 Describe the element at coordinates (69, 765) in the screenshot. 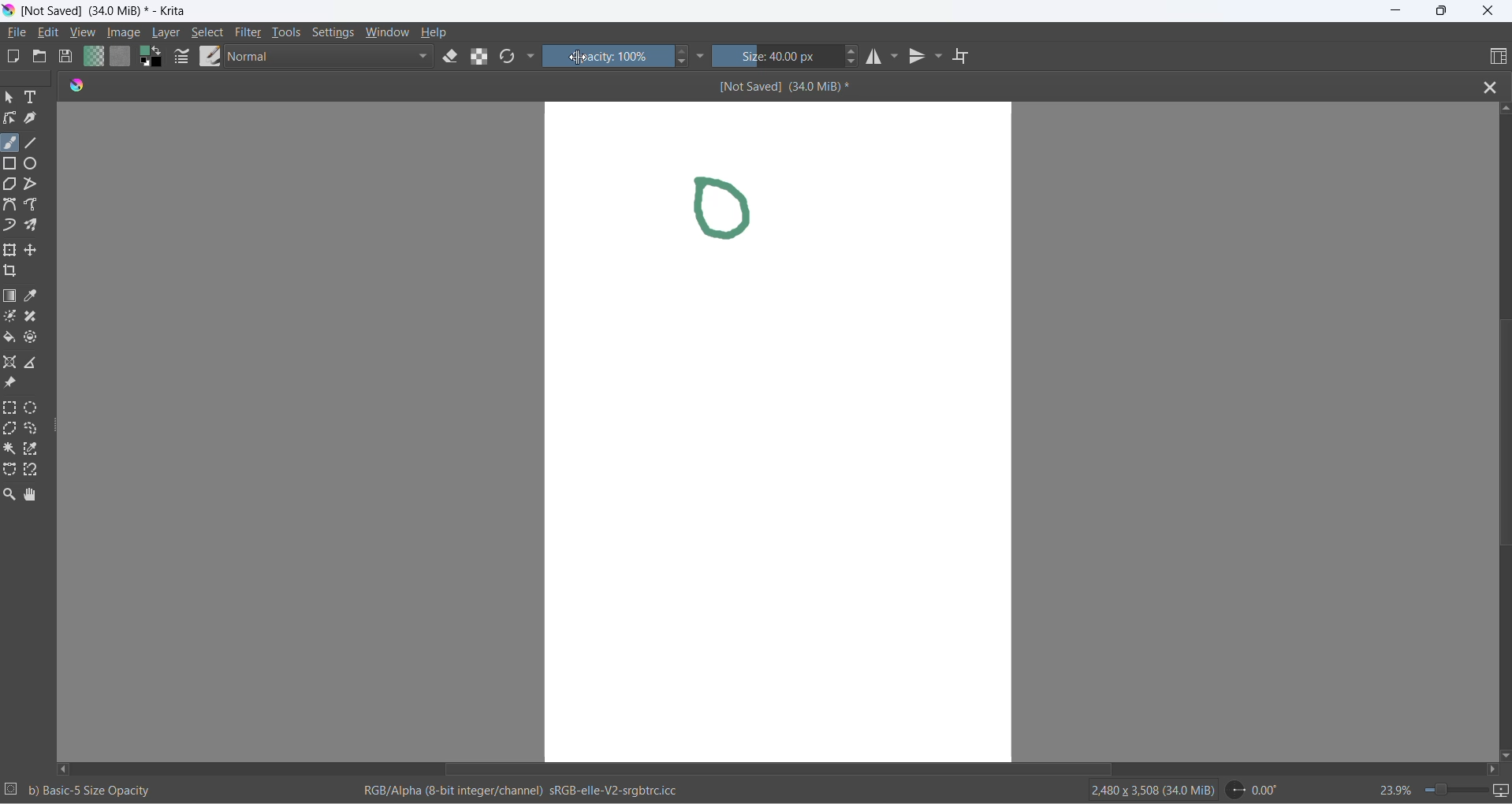

I see `scroll left button` at that location.